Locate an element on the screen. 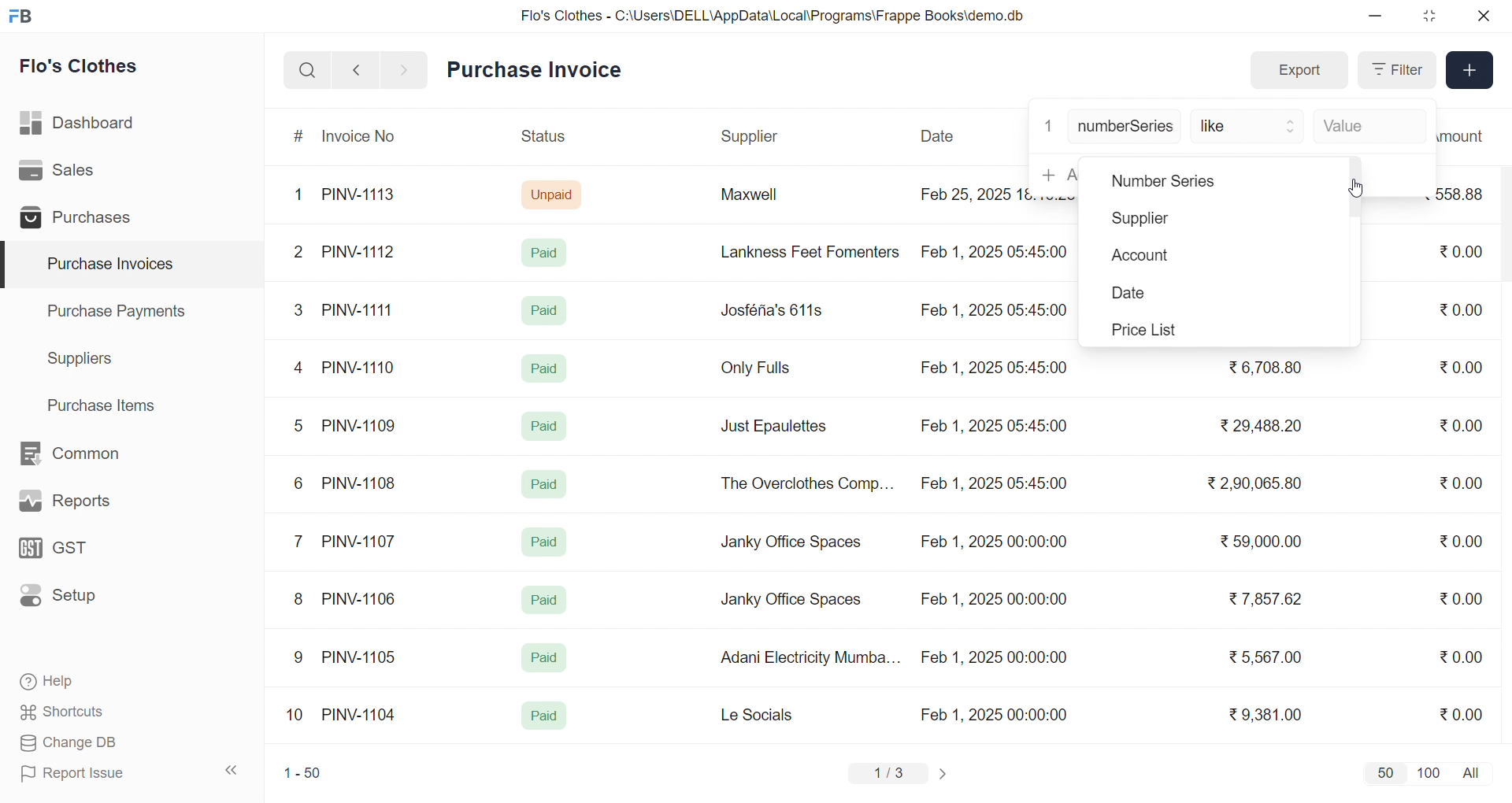 Image resolution: width=1512 pixels, height=803 pixels. 6 is located at coordinates (298, 483).